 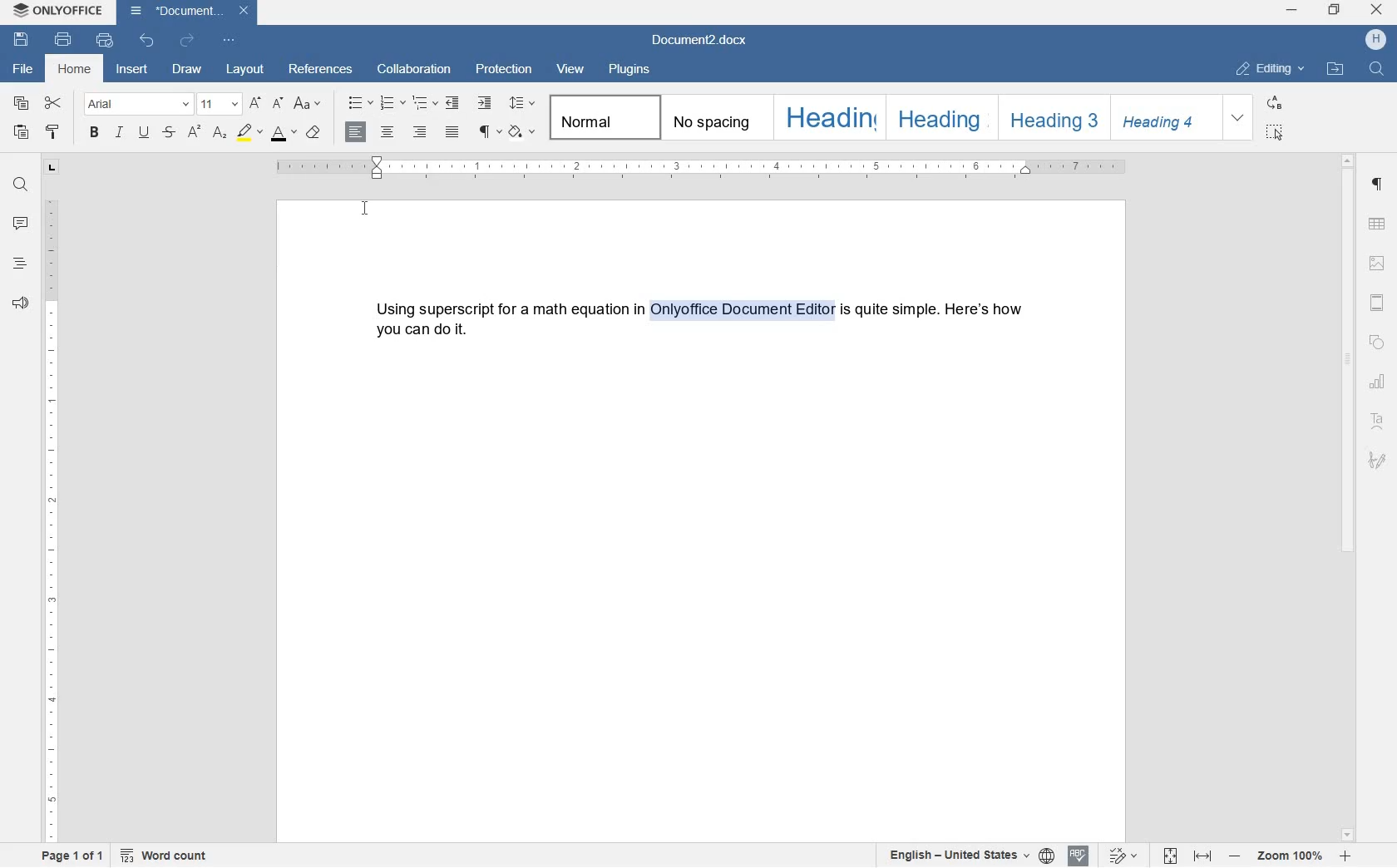 I want to click on insert, so click(x=135, y=68).